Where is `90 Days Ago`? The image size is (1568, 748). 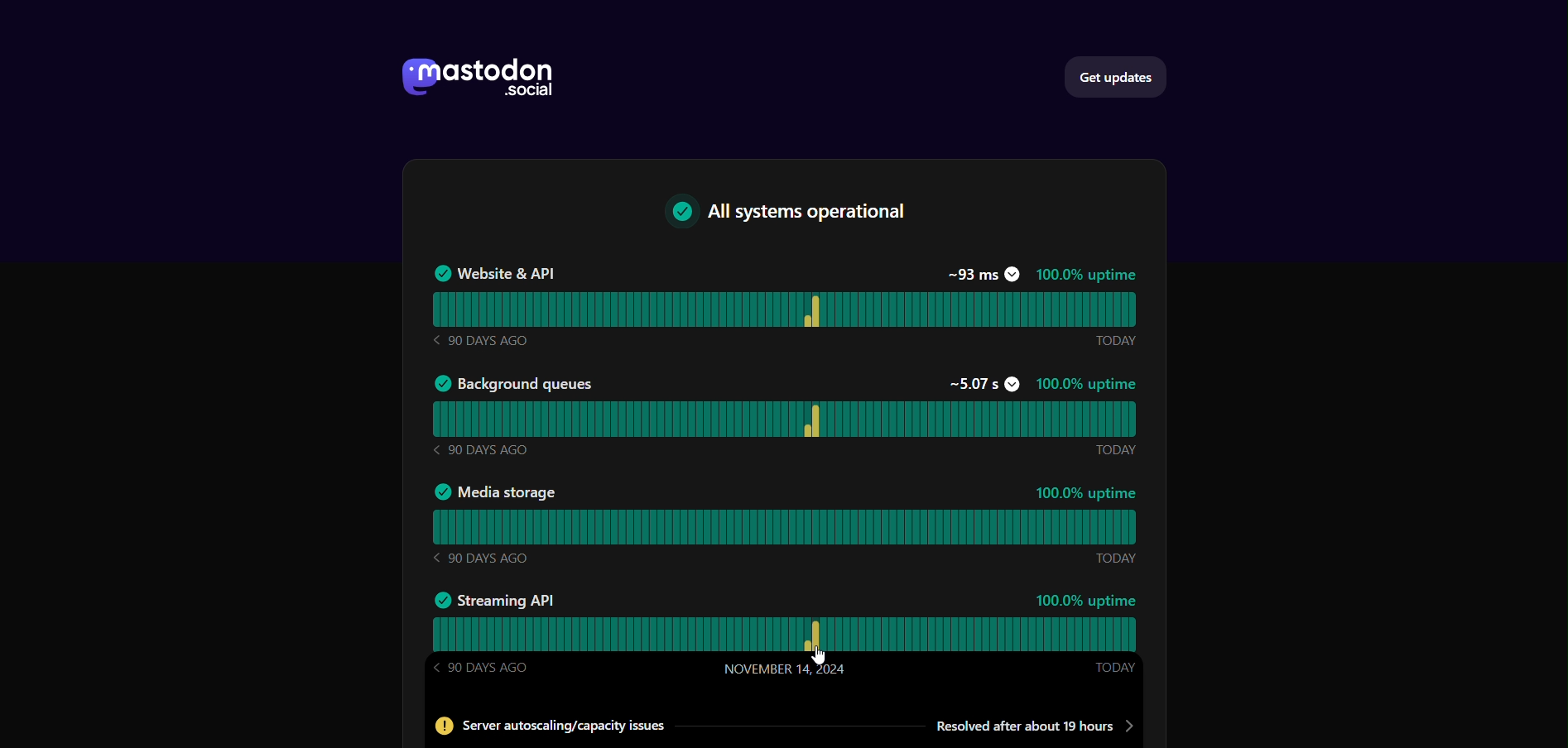
90 Days Ago is located at coordinates (479, 340).